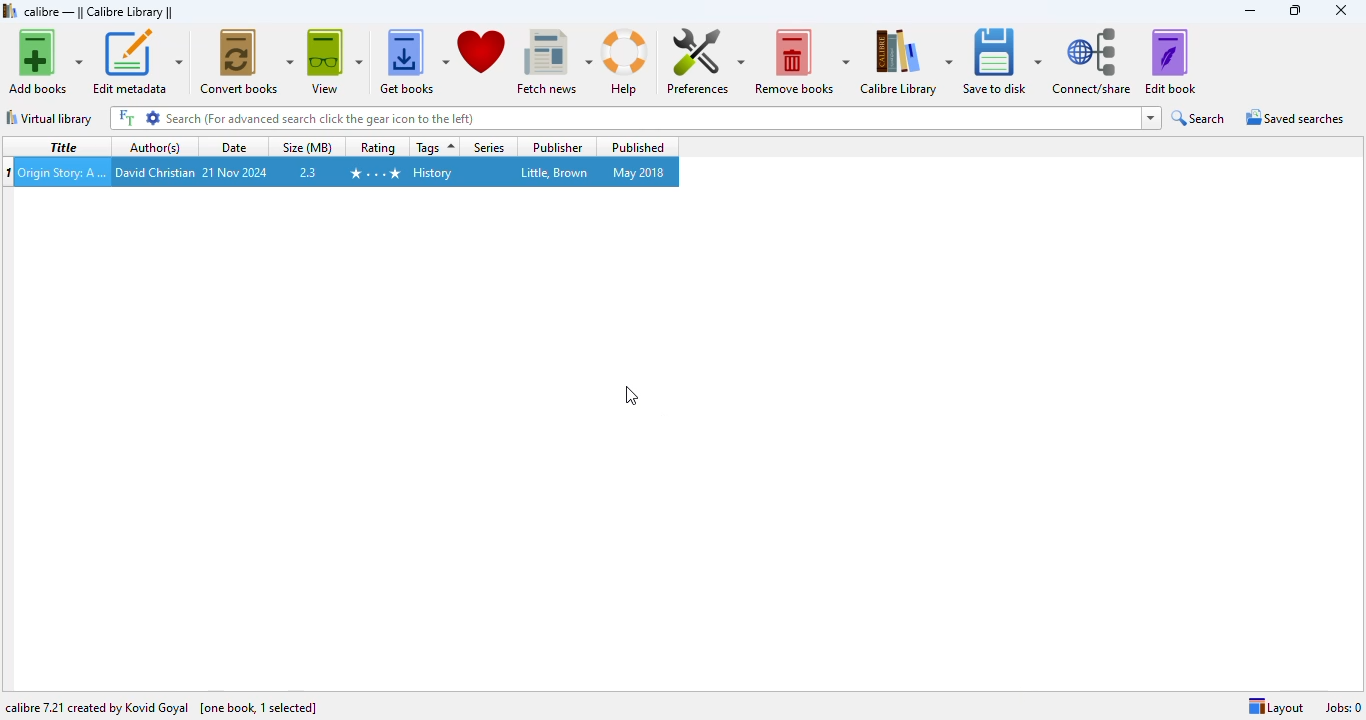  Describe the element at coordinates (1002, 60) in the screenshot. I see `save to disk` at that location.